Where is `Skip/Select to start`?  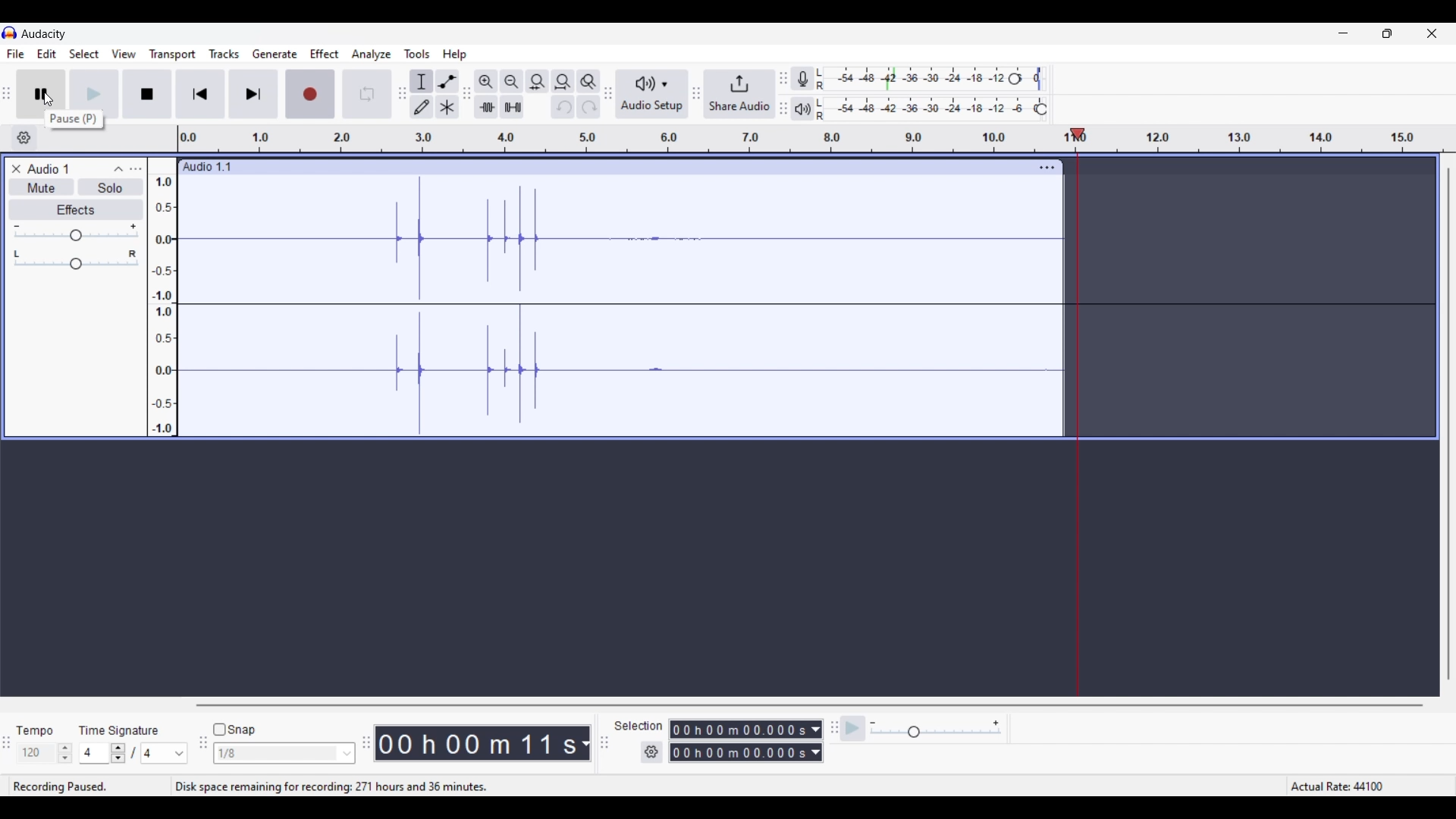
Skip/Select to start is located at coordinates (201, 94).